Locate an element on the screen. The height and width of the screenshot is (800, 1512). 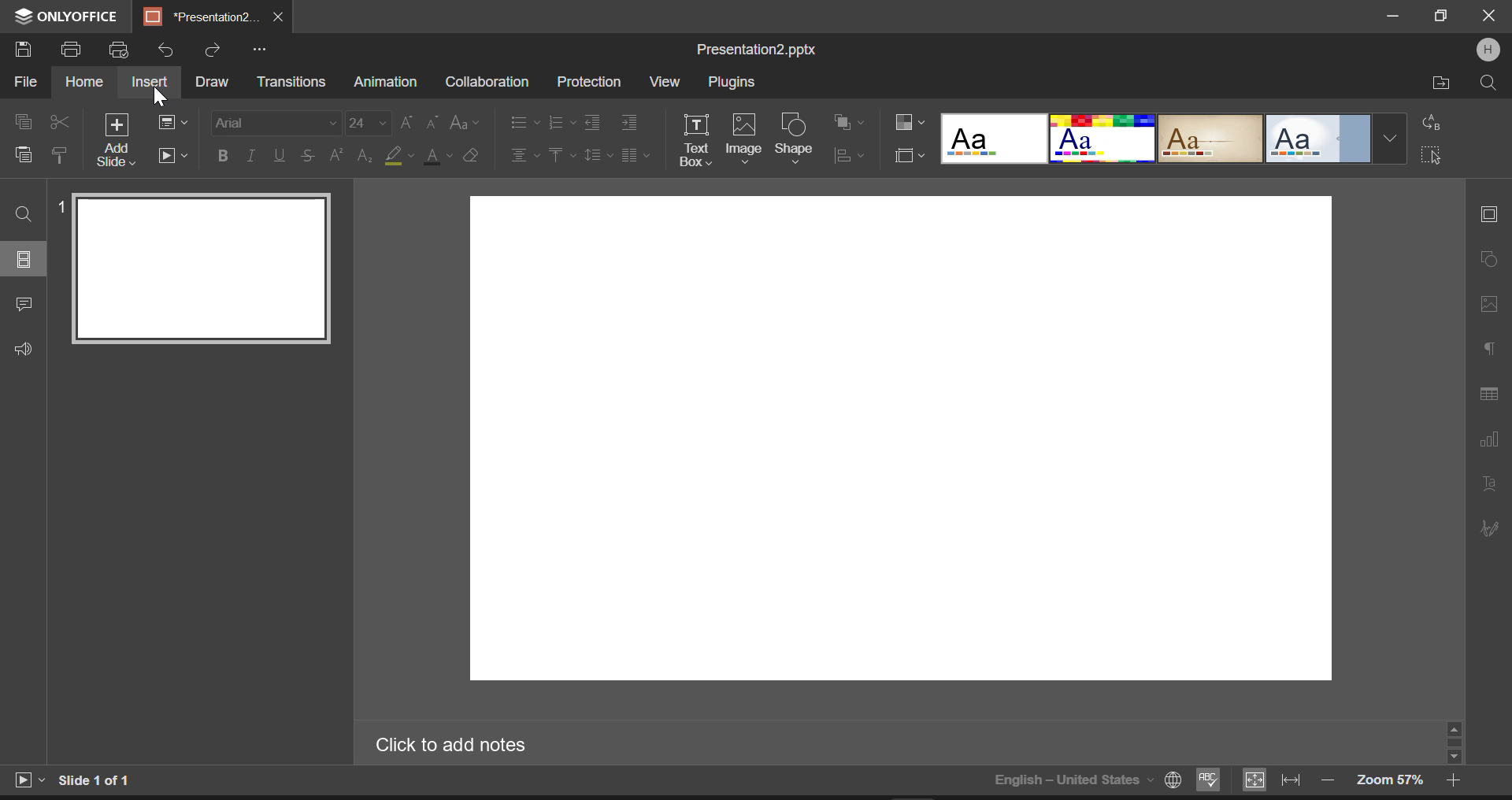
More Options is located at coordinates (259, 49).